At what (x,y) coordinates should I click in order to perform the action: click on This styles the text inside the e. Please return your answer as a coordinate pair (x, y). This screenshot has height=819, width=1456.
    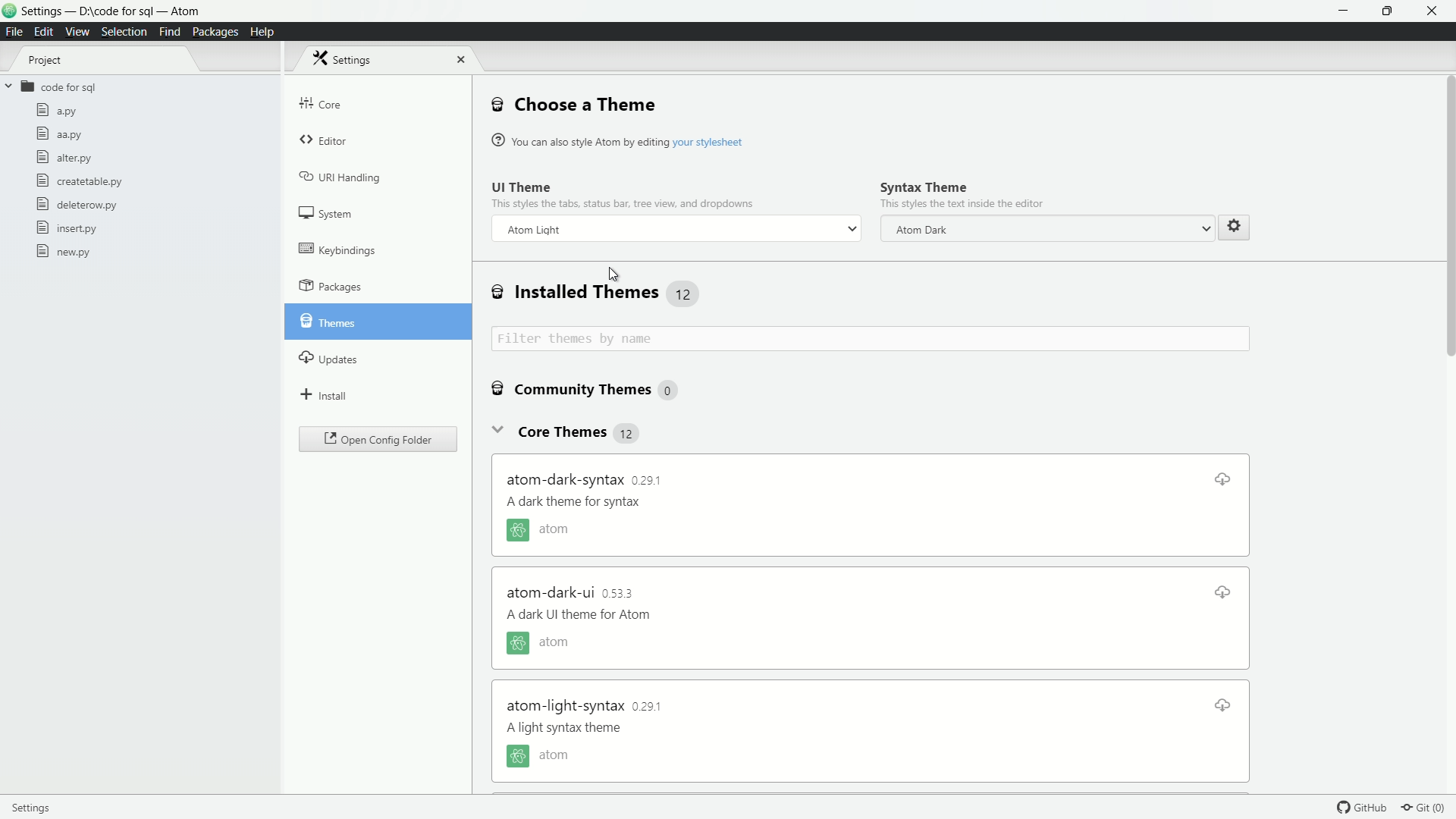
    Looking at the image, I should click on (623, 206).